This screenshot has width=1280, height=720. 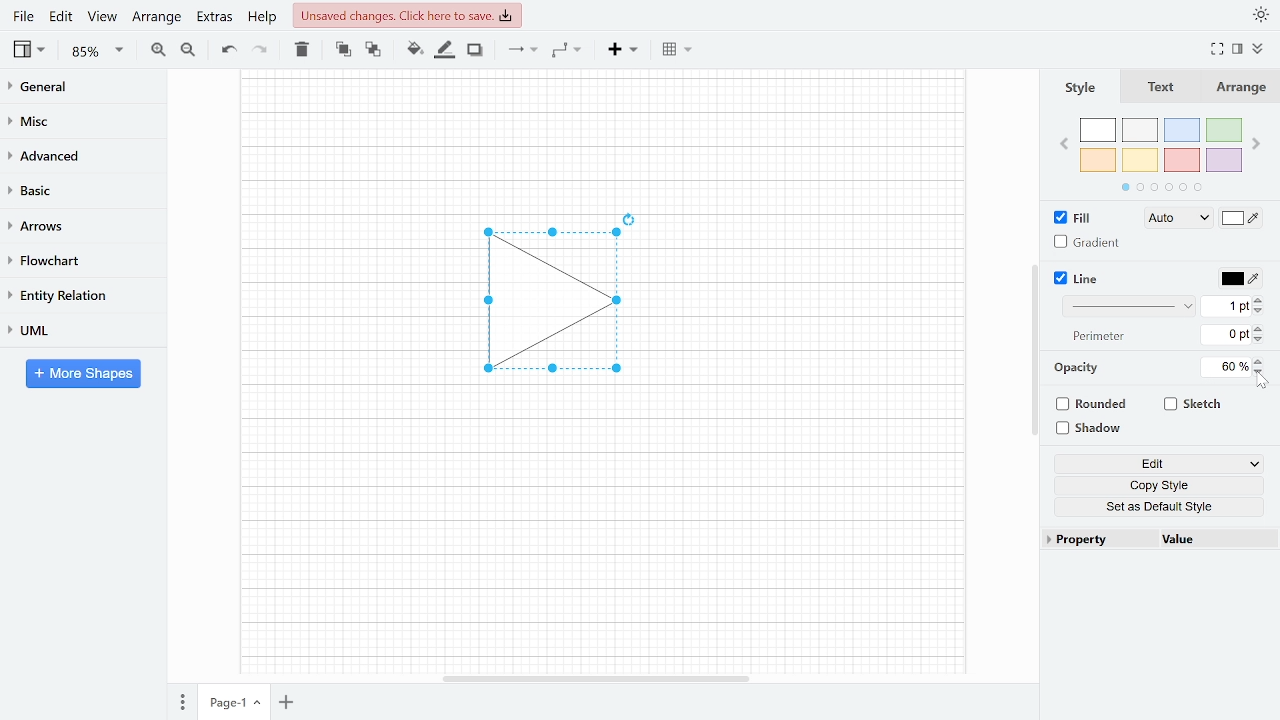 I want to click on basic, so click(x=76, y=189).